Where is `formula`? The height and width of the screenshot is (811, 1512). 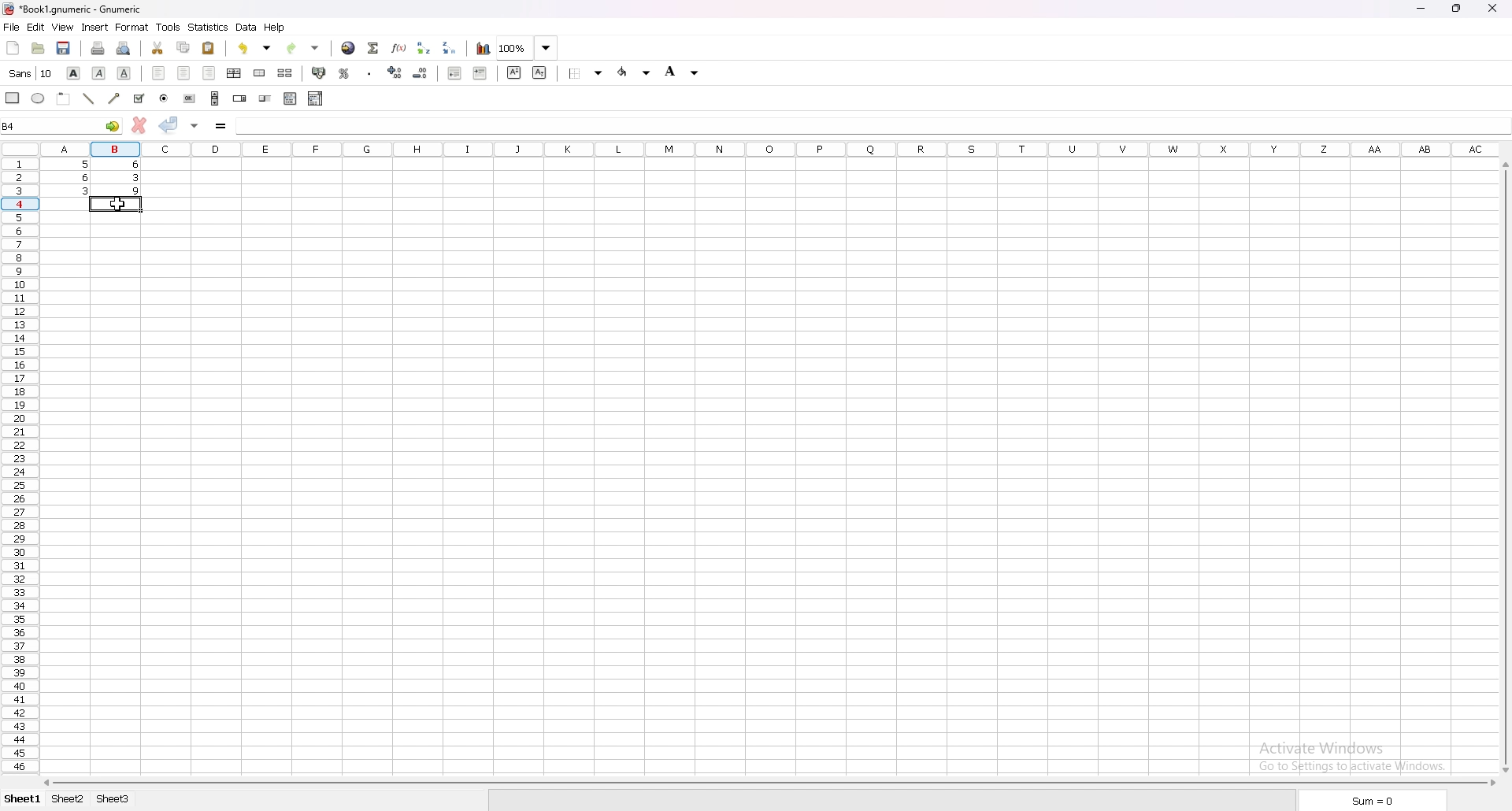
formula is located at coordinates (221, 127).